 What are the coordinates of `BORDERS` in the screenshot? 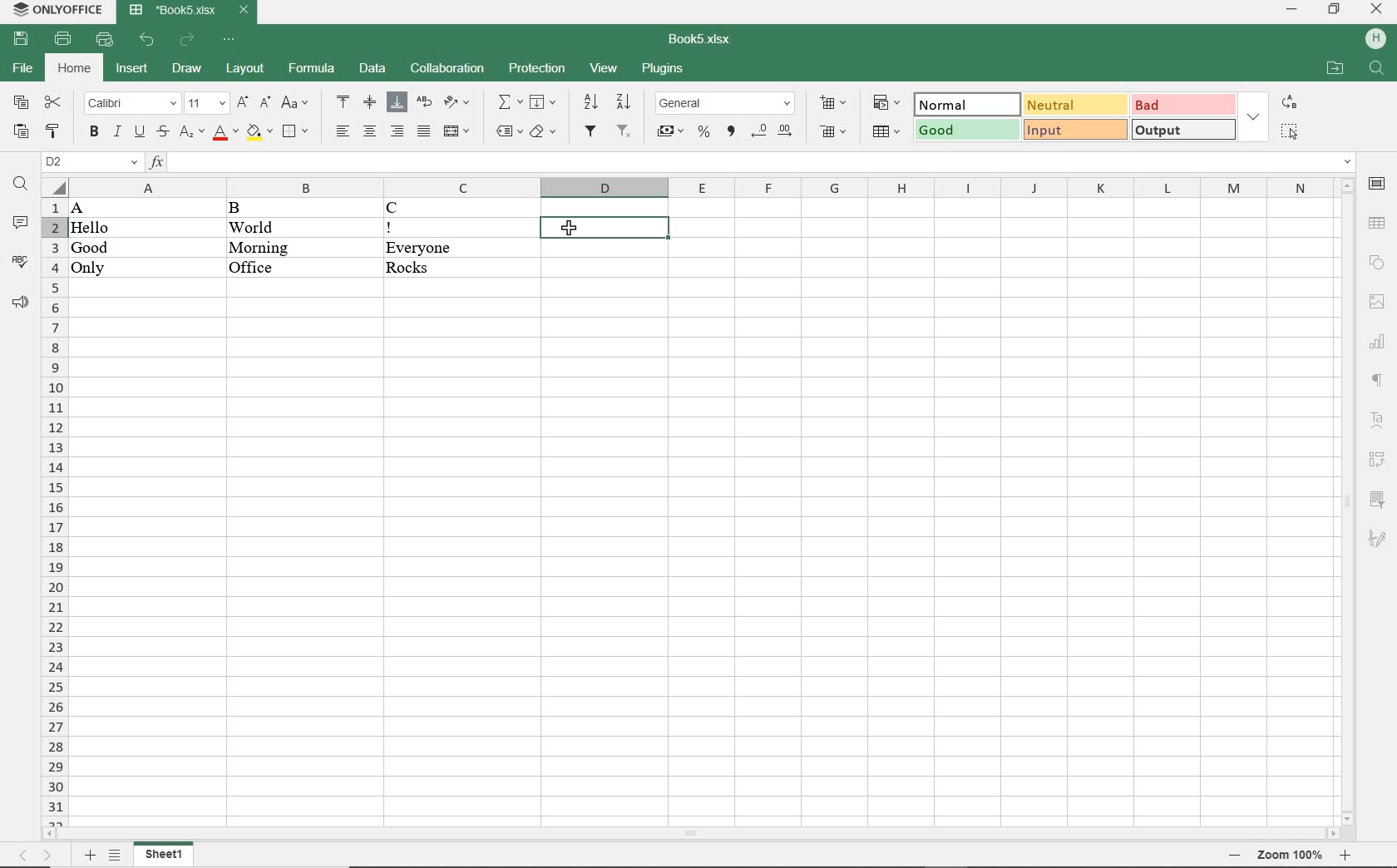 It's located at (295, 131).